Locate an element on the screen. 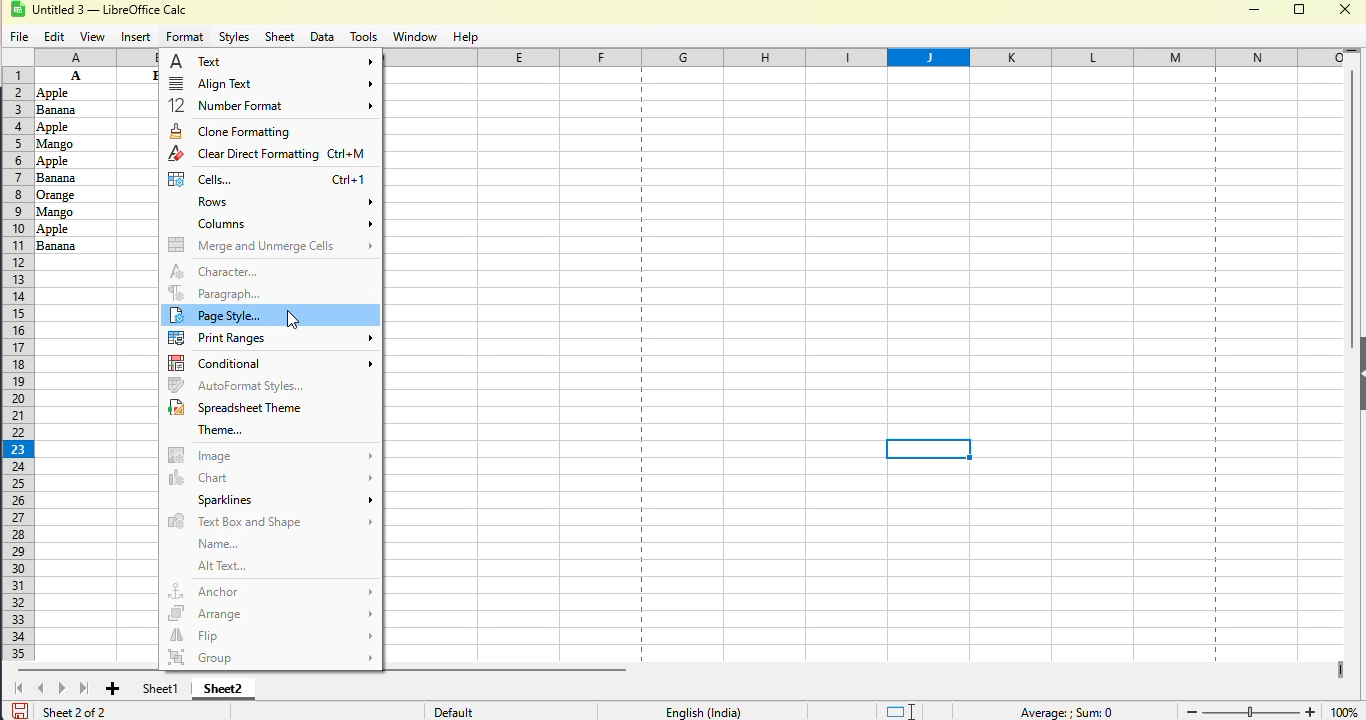 The image size is (1366, 720). image is located at coordinates (269, 455).